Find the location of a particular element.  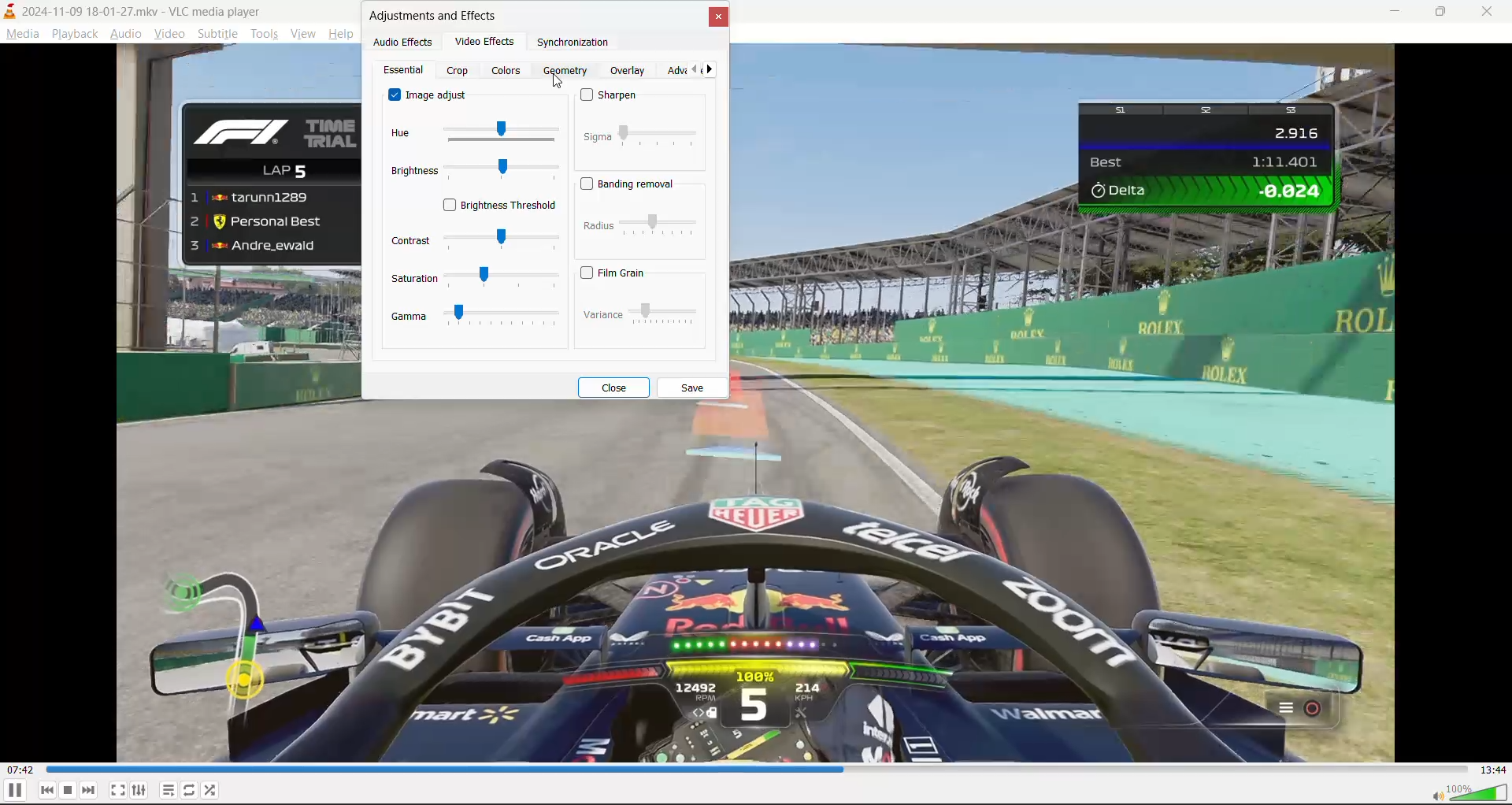

essential is located at coordinates (402, 72).